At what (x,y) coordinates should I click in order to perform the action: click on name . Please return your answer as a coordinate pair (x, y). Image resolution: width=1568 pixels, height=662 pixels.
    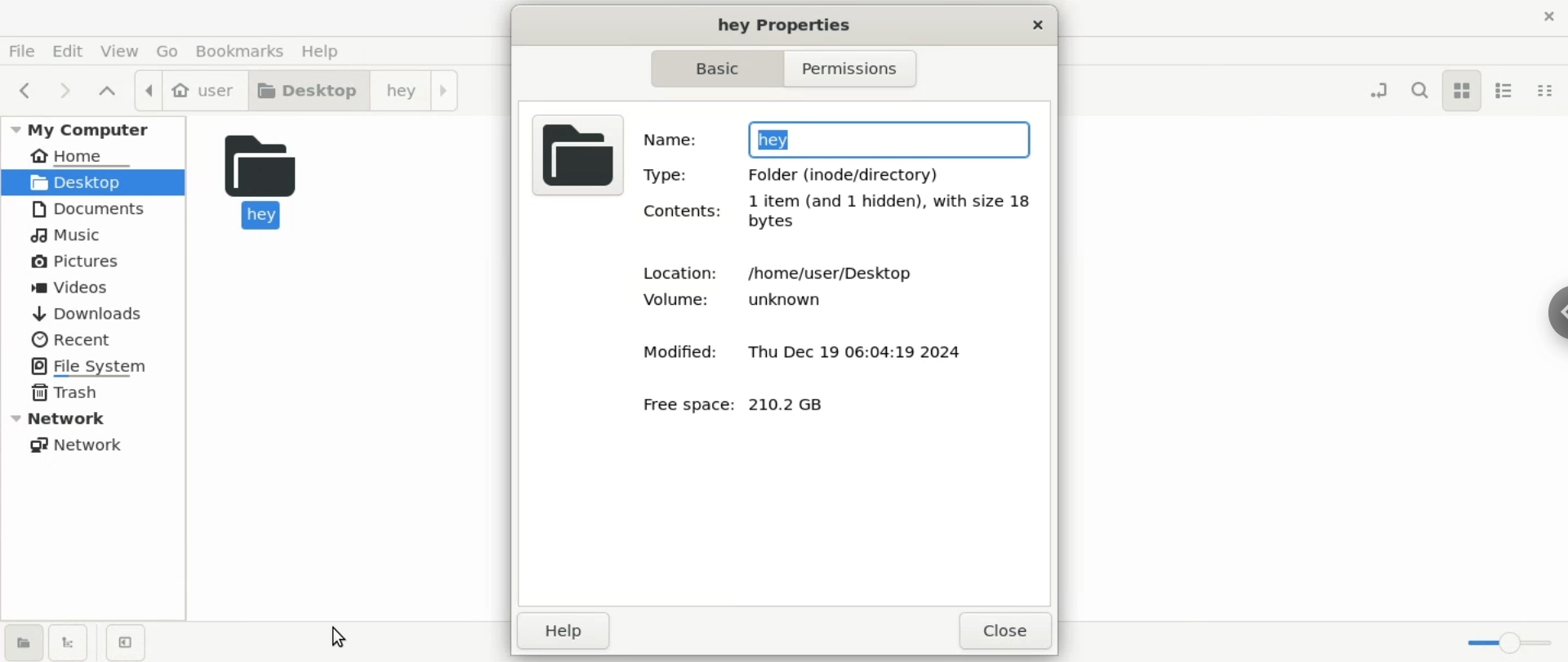
    Looking at the image, I should click on (669, 140).